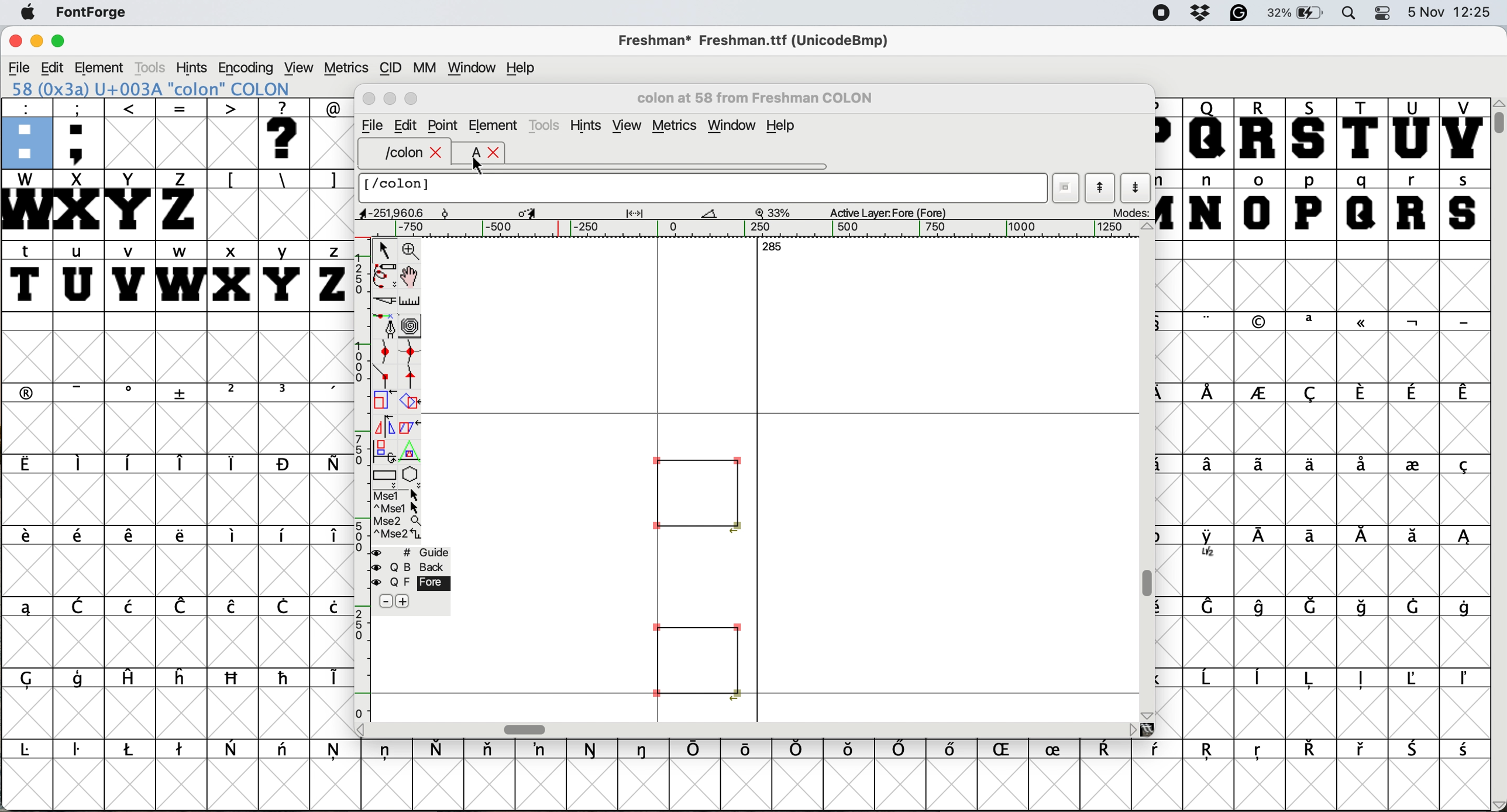 The height and width of the screenshot is (812, 1507). I want to click on scroll by hand, so click(413, 273).